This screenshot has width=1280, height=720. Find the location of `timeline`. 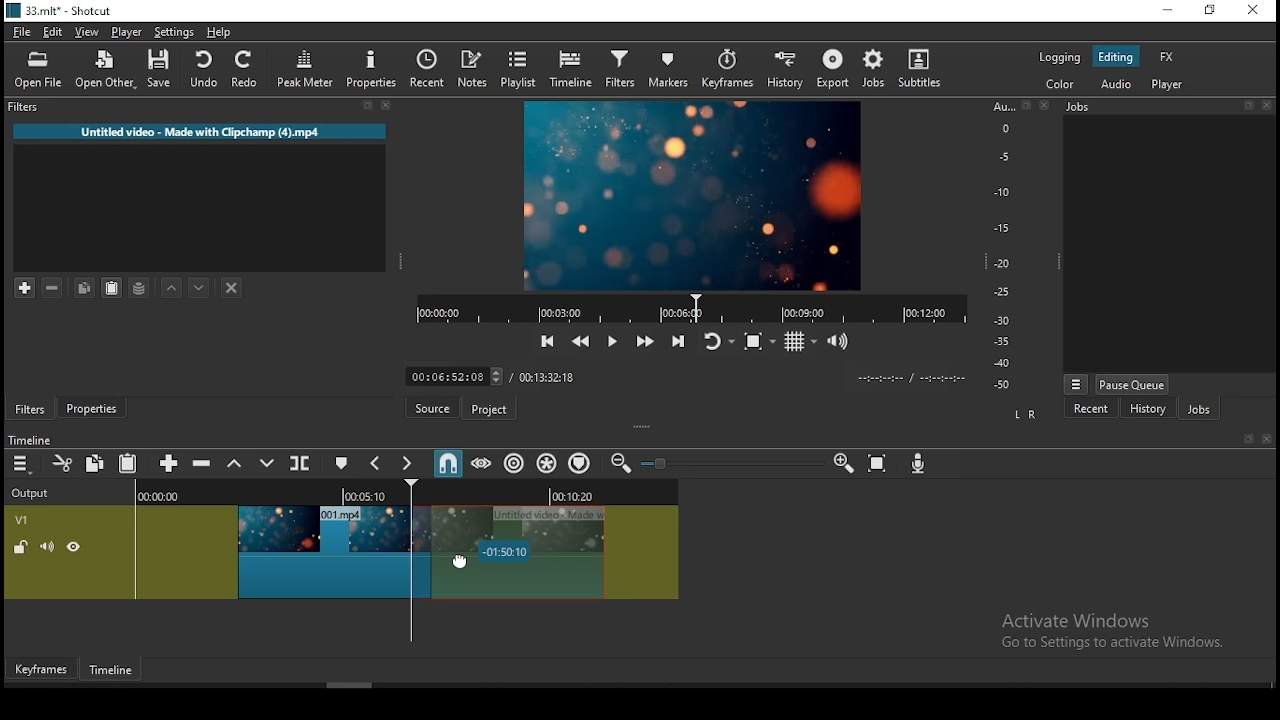

timeline is located at coordinates (568, 70).